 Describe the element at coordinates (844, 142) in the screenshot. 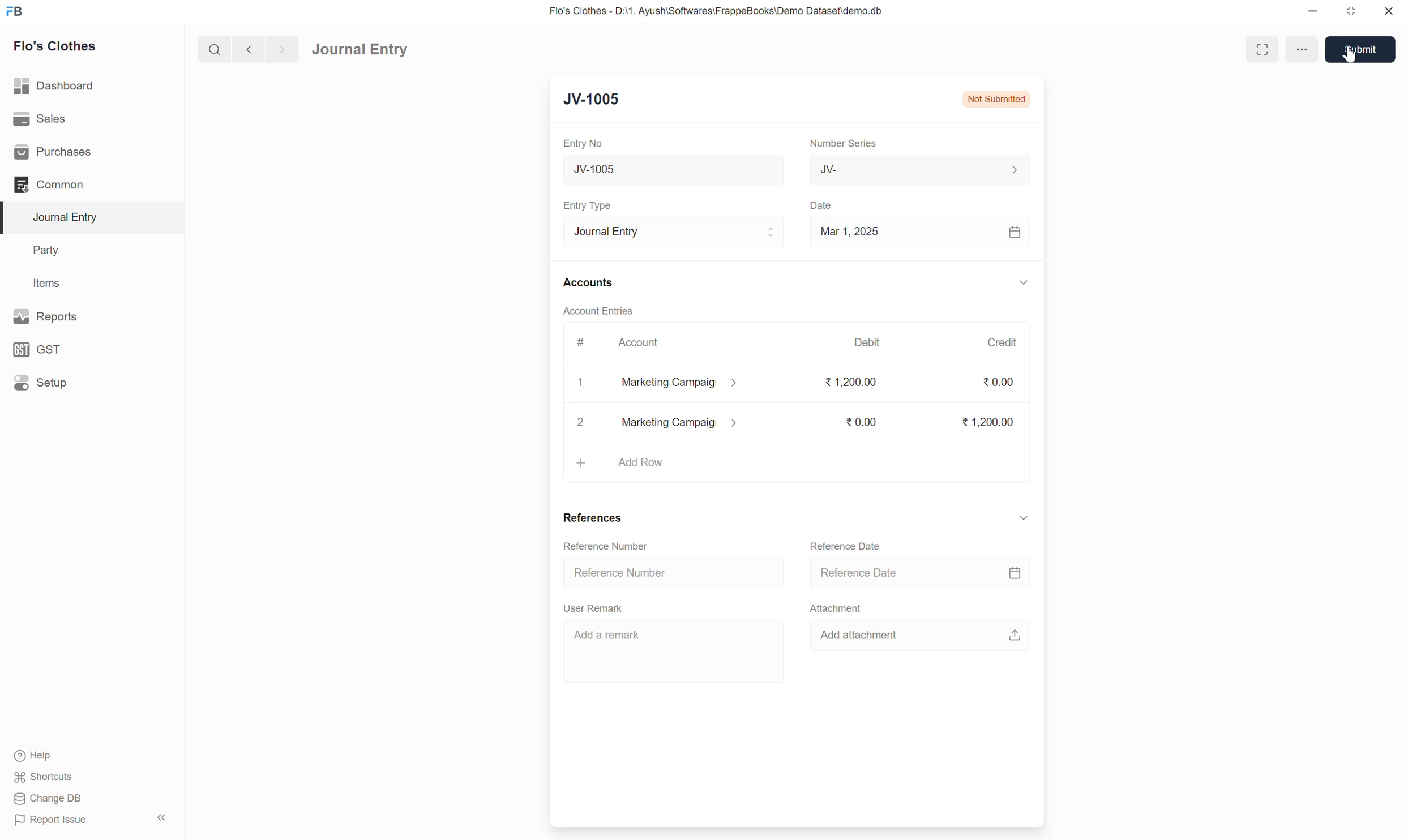

I see `Number Series` at that location.